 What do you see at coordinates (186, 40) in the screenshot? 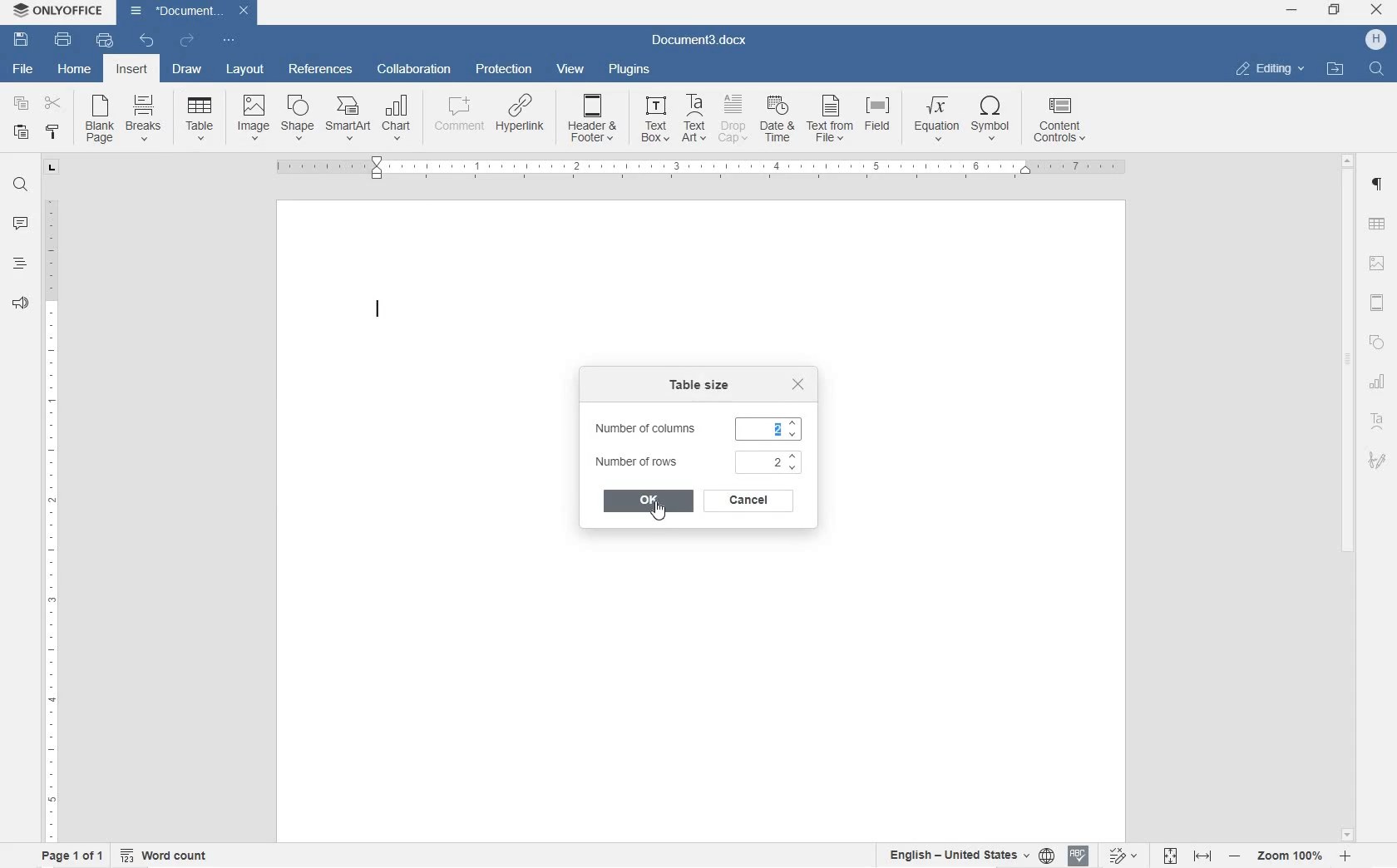
I see `REDO` at bounding box center [186, 40].